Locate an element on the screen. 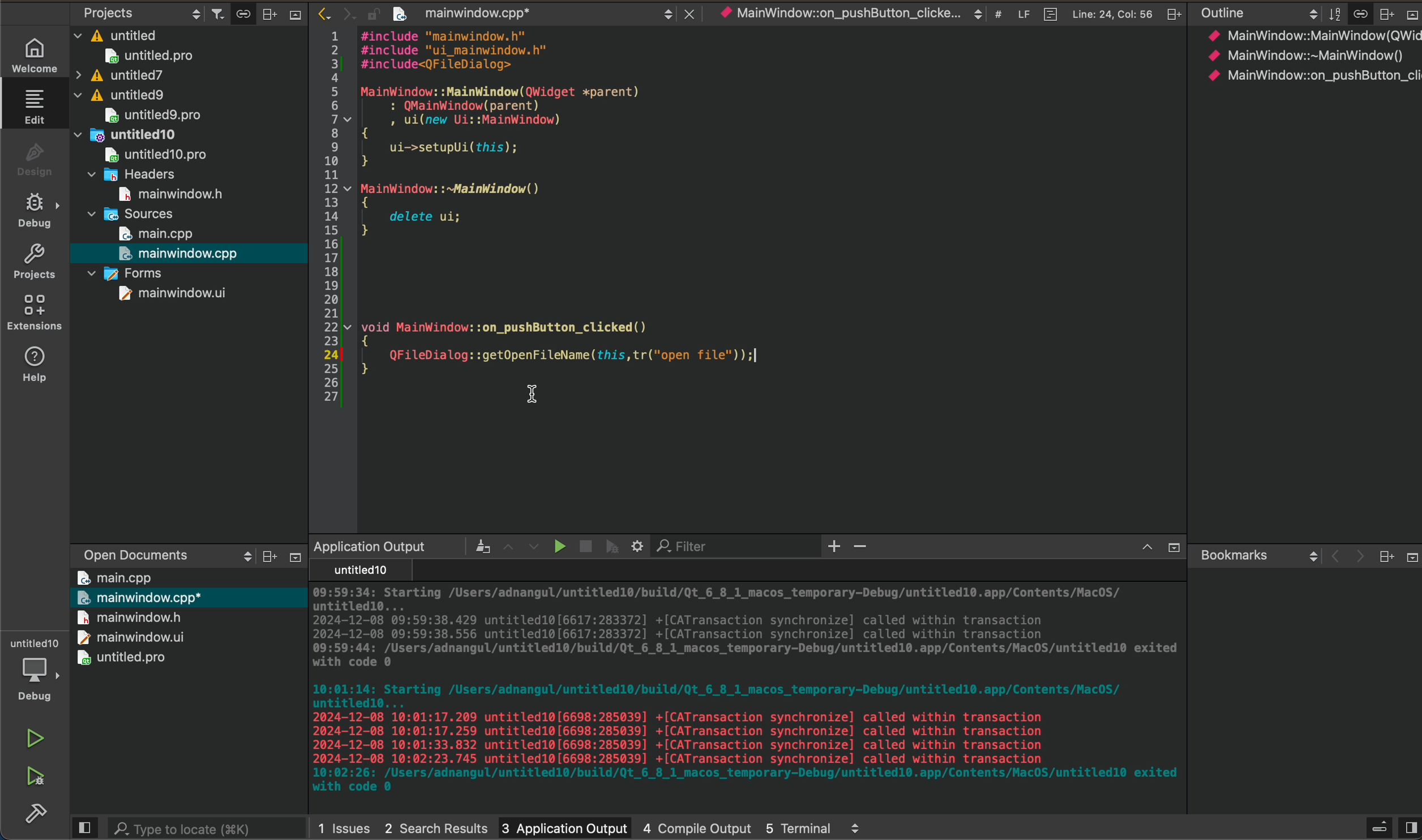  # is located at coordinates (997, 15).